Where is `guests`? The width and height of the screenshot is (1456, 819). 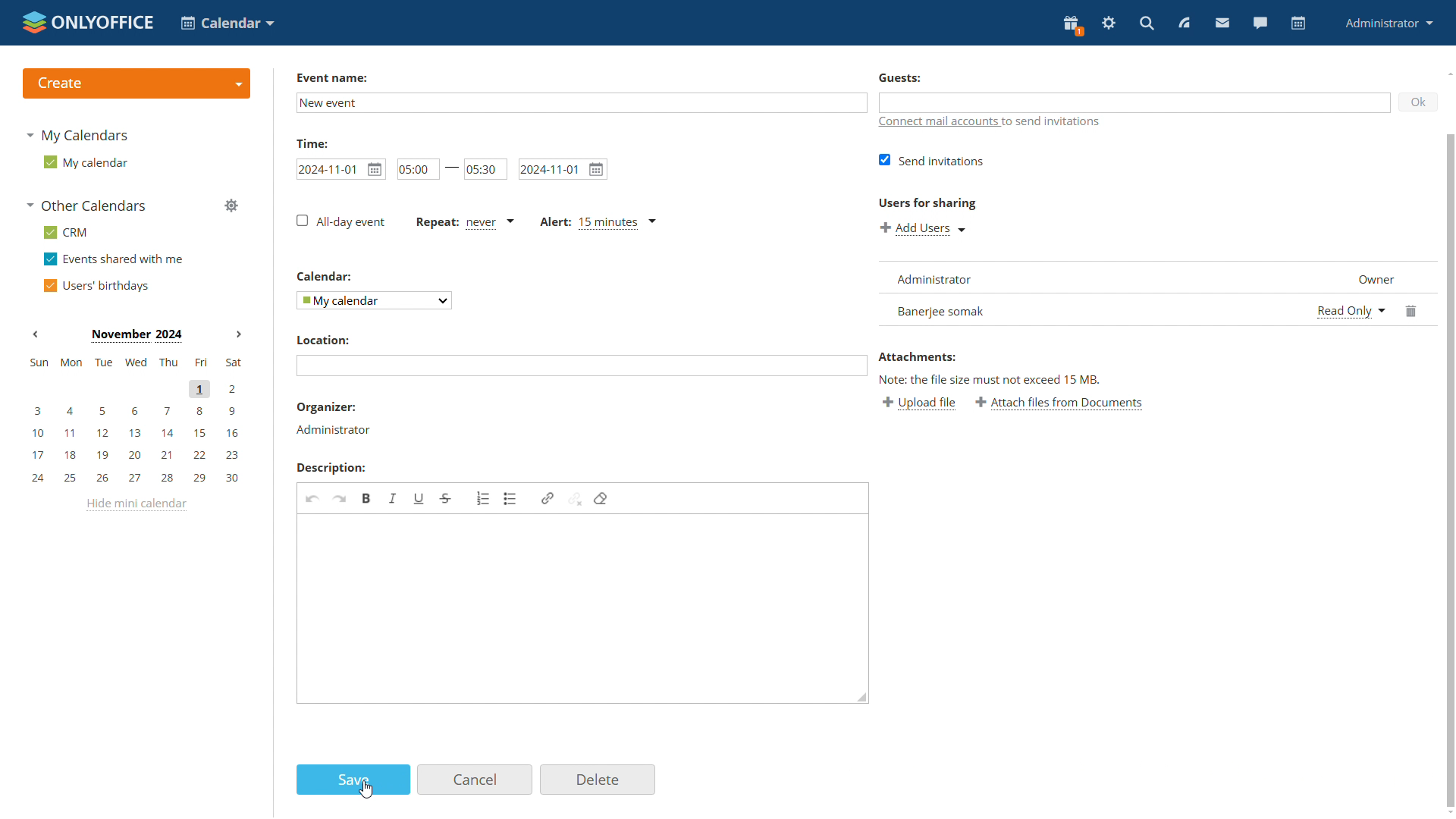
guests is located at coordinates (899, 77).